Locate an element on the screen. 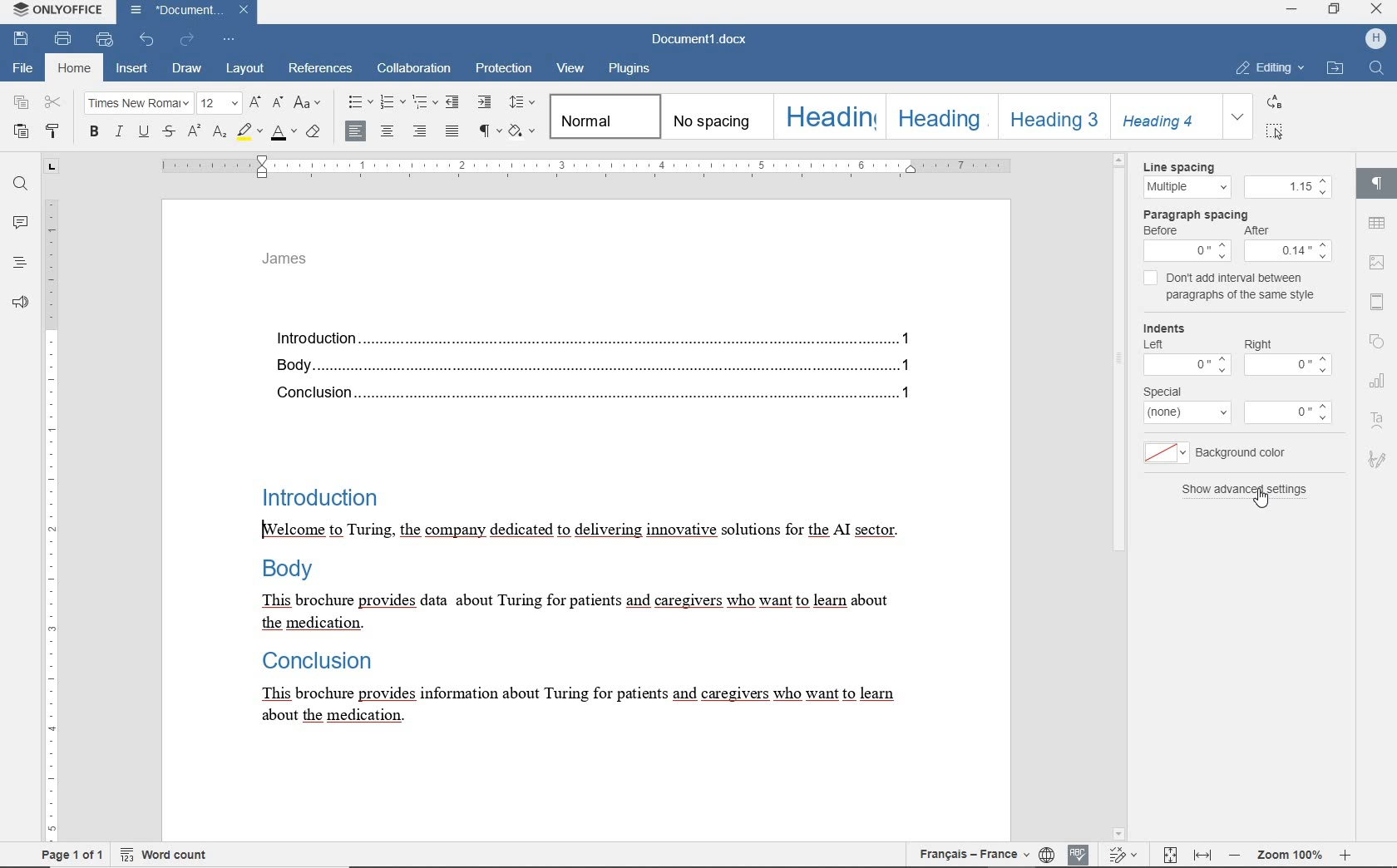  image is located at coordinates (1378, 262).